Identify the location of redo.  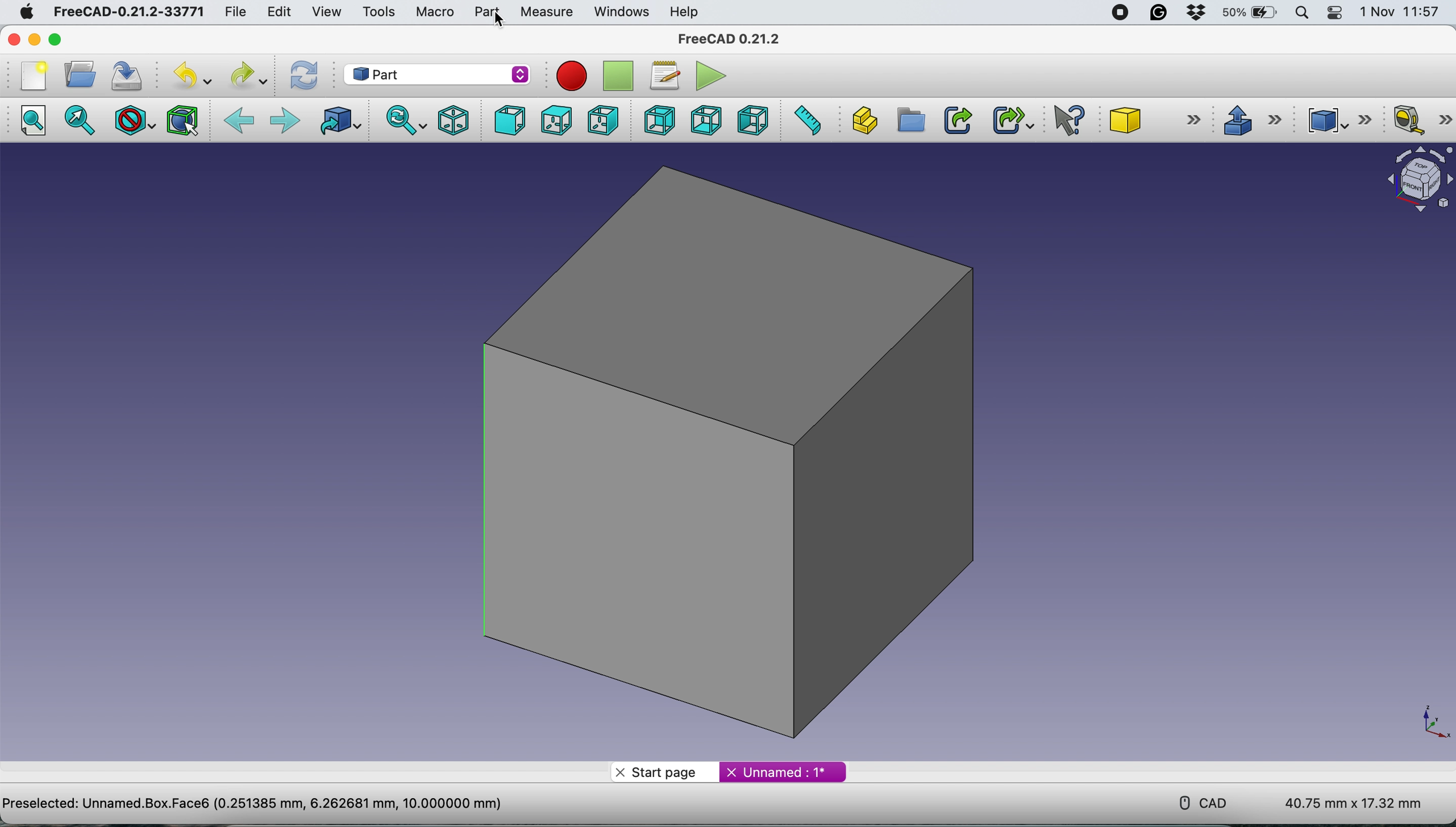
(249, 75).